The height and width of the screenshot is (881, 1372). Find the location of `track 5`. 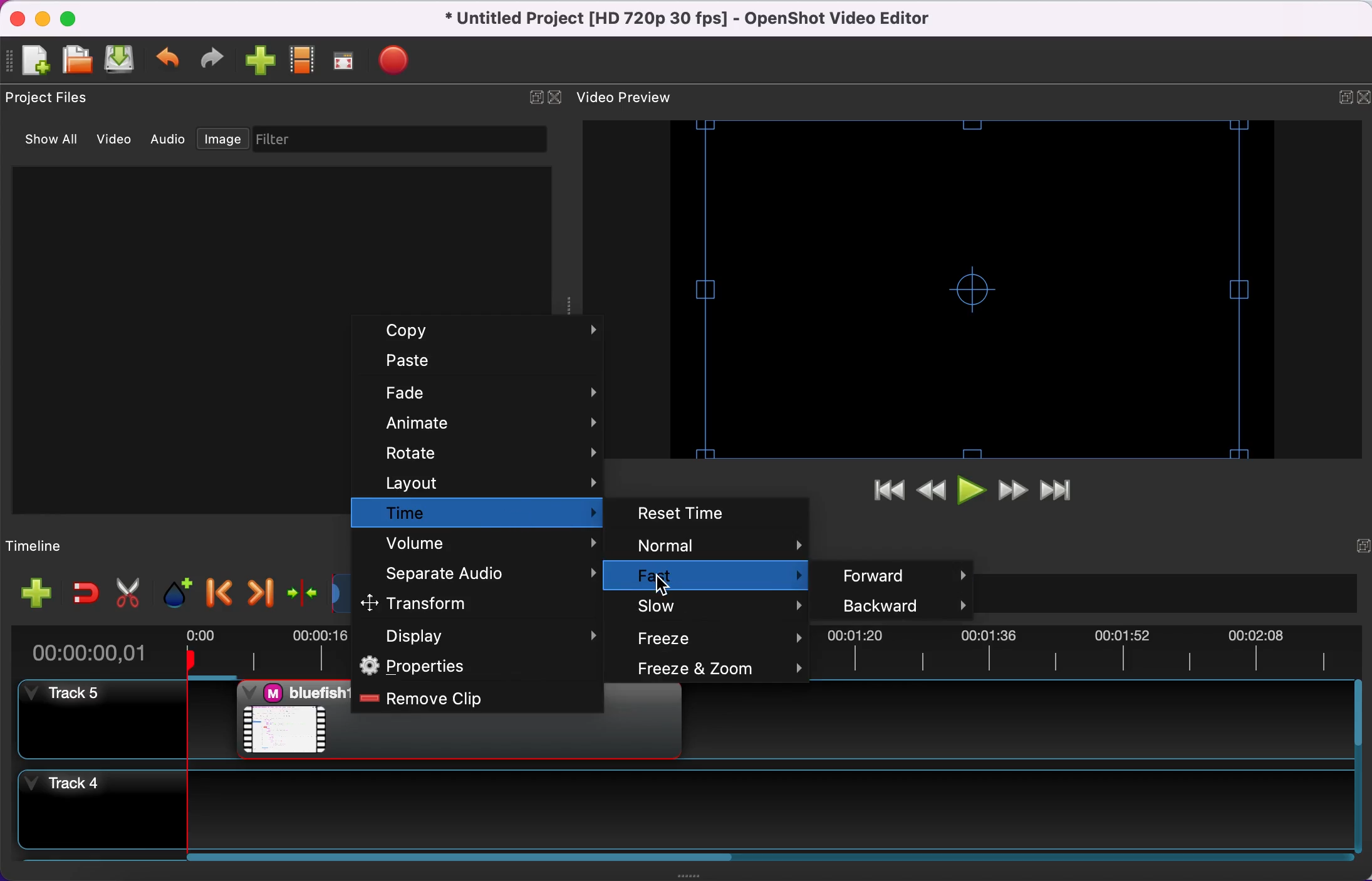

track 5 is located at coordinates (103, 719).